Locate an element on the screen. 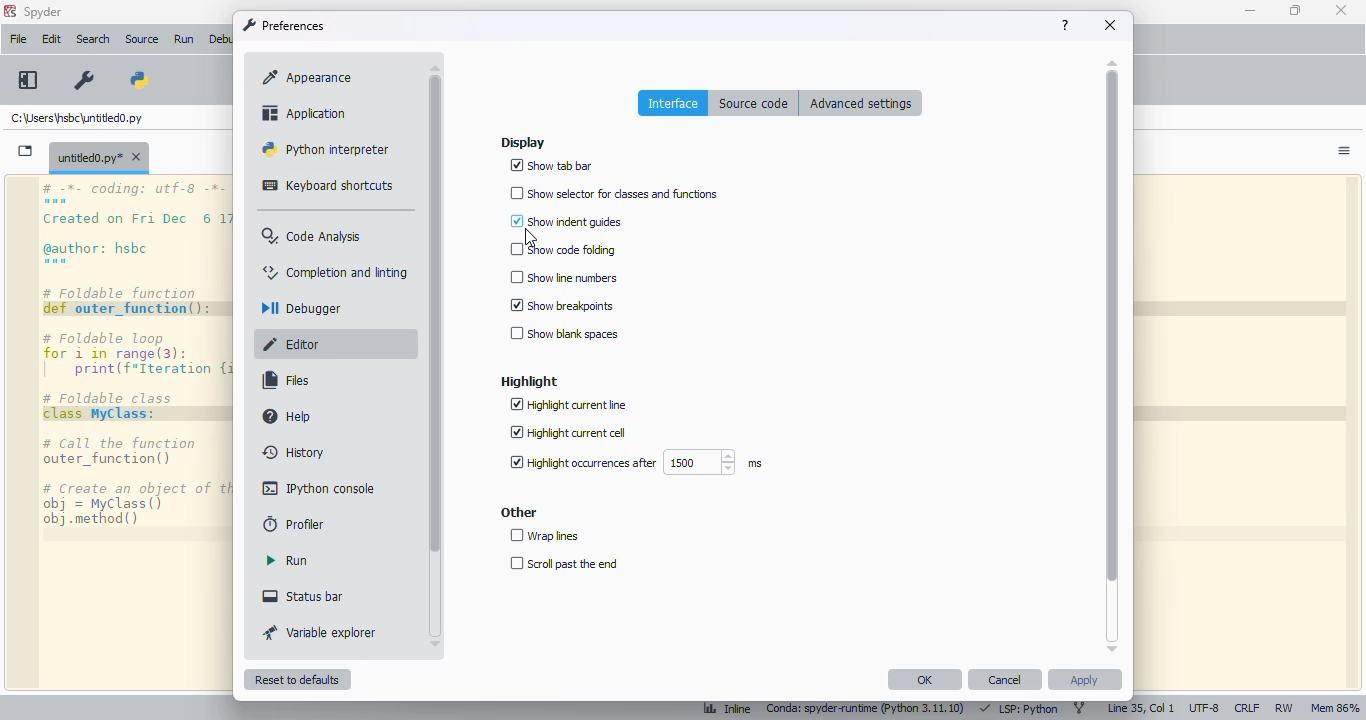 This screenshot has width=1366, height=720. other is located at coordinates (519, 512).